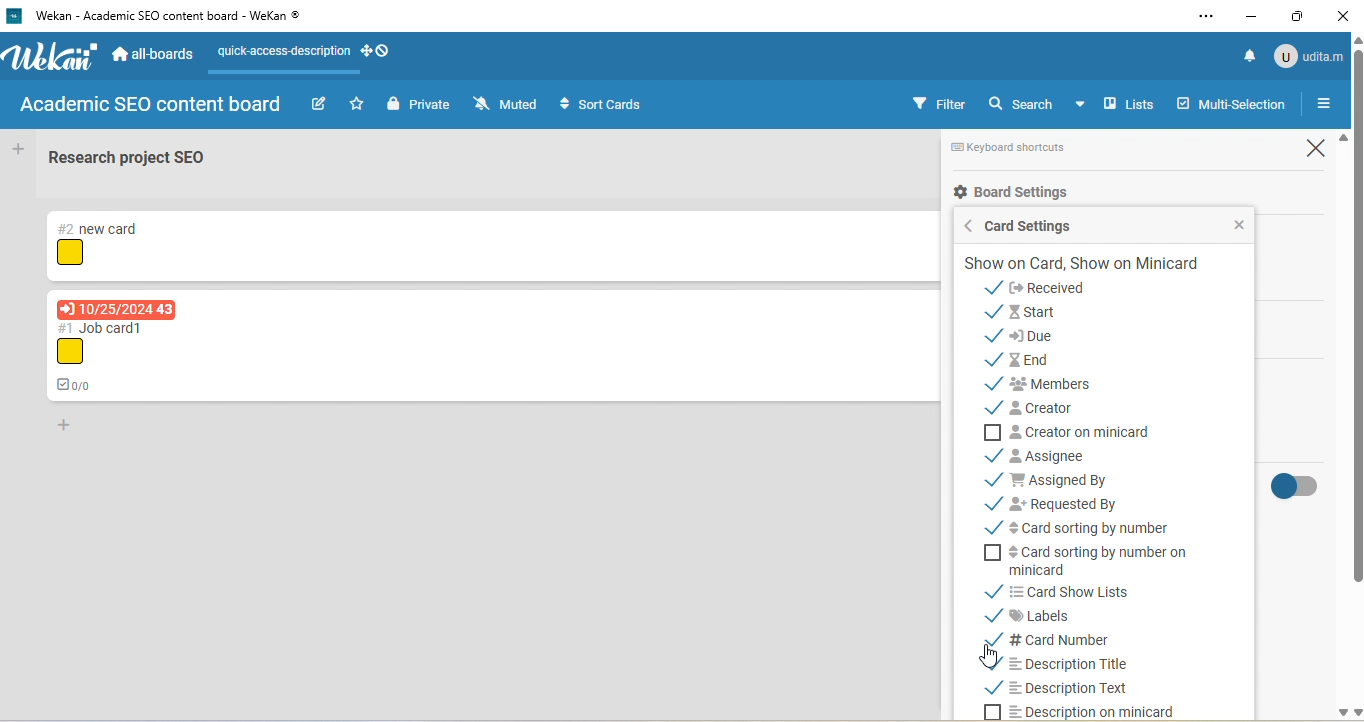  What do you see at coordinates (1346, 15) in the screenshot?
I see `close` at bounding box center [1346, 15].